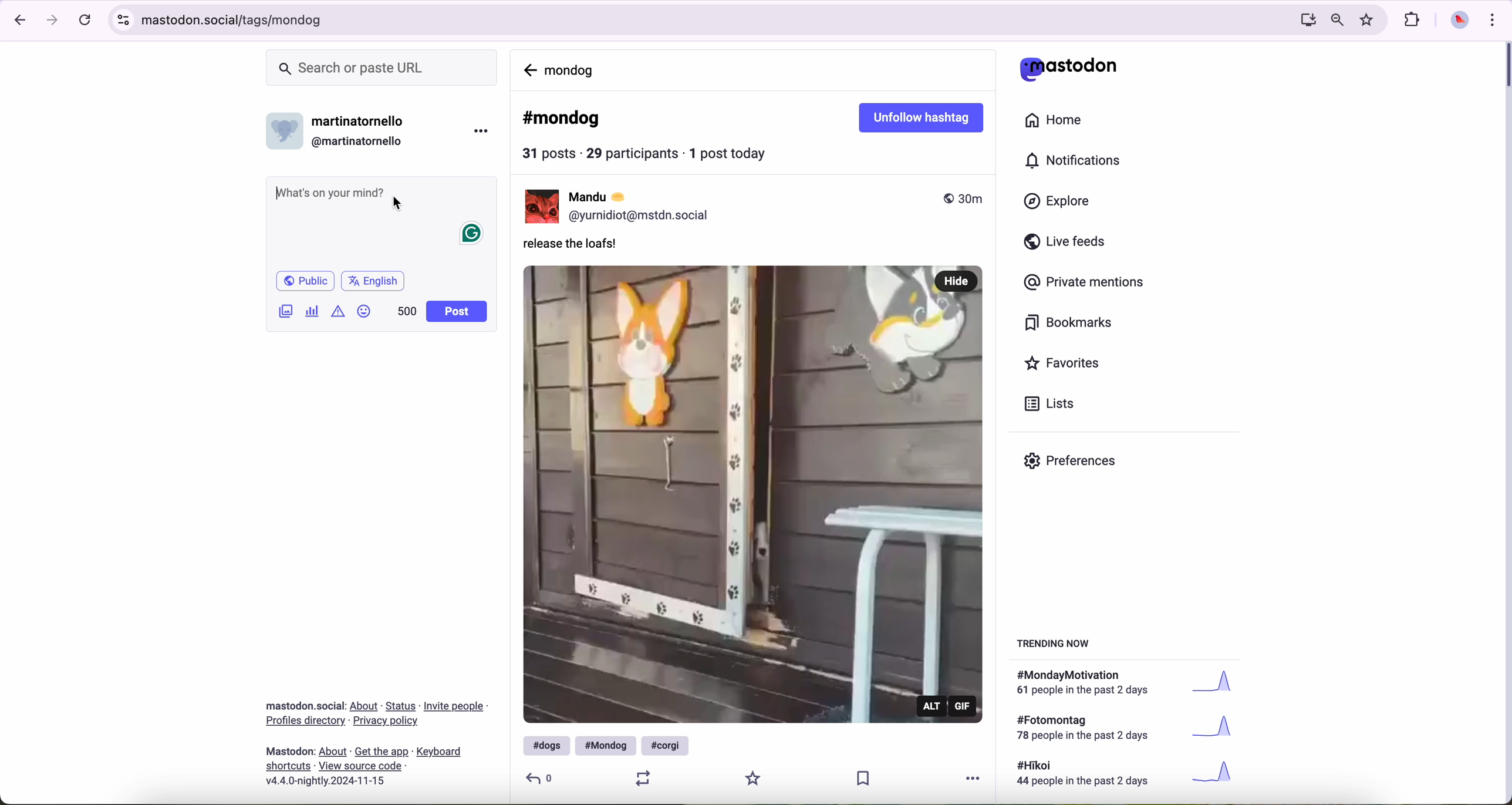 The width and height of the screenshot is (1512, 805). What do you see at coordinates (924, 118) in the screenshot?
I see `unfollow hashtag` at bounding box center [924, 118].